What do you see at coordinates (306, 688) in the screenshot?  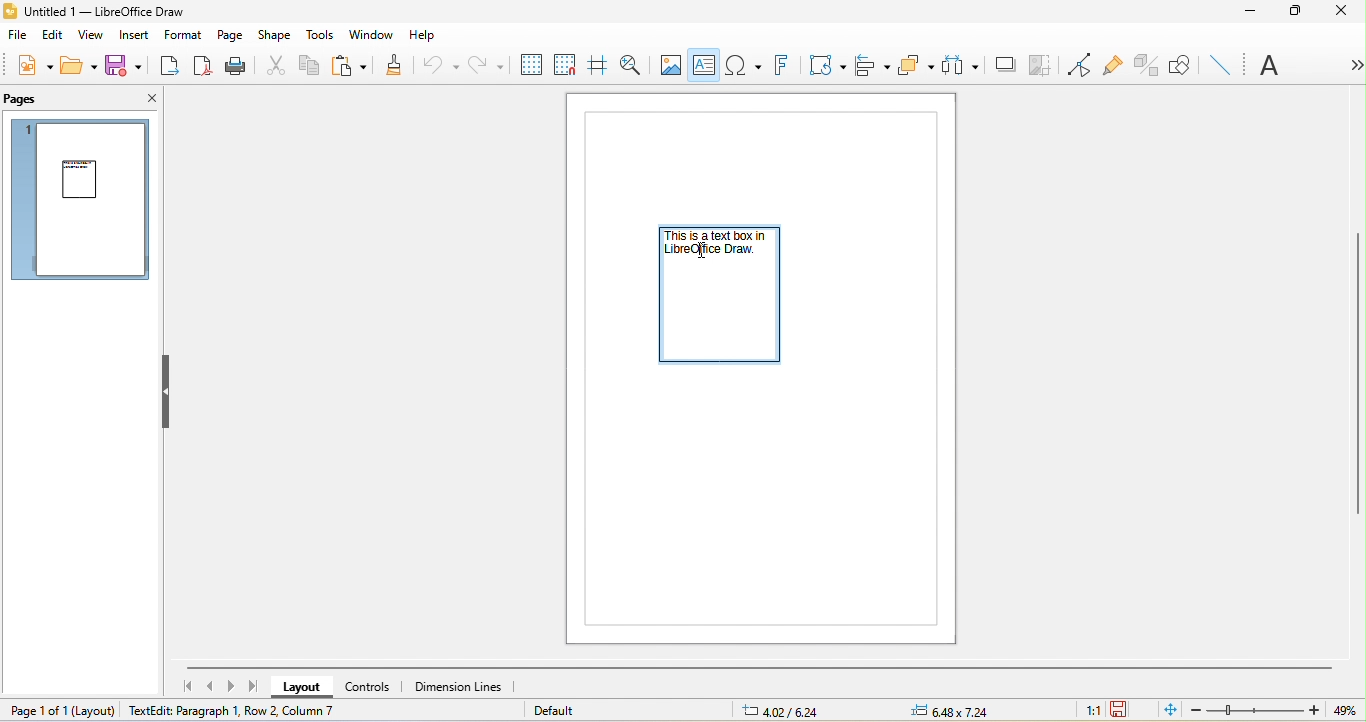 I see `layout` at bounding box center [306, 688].